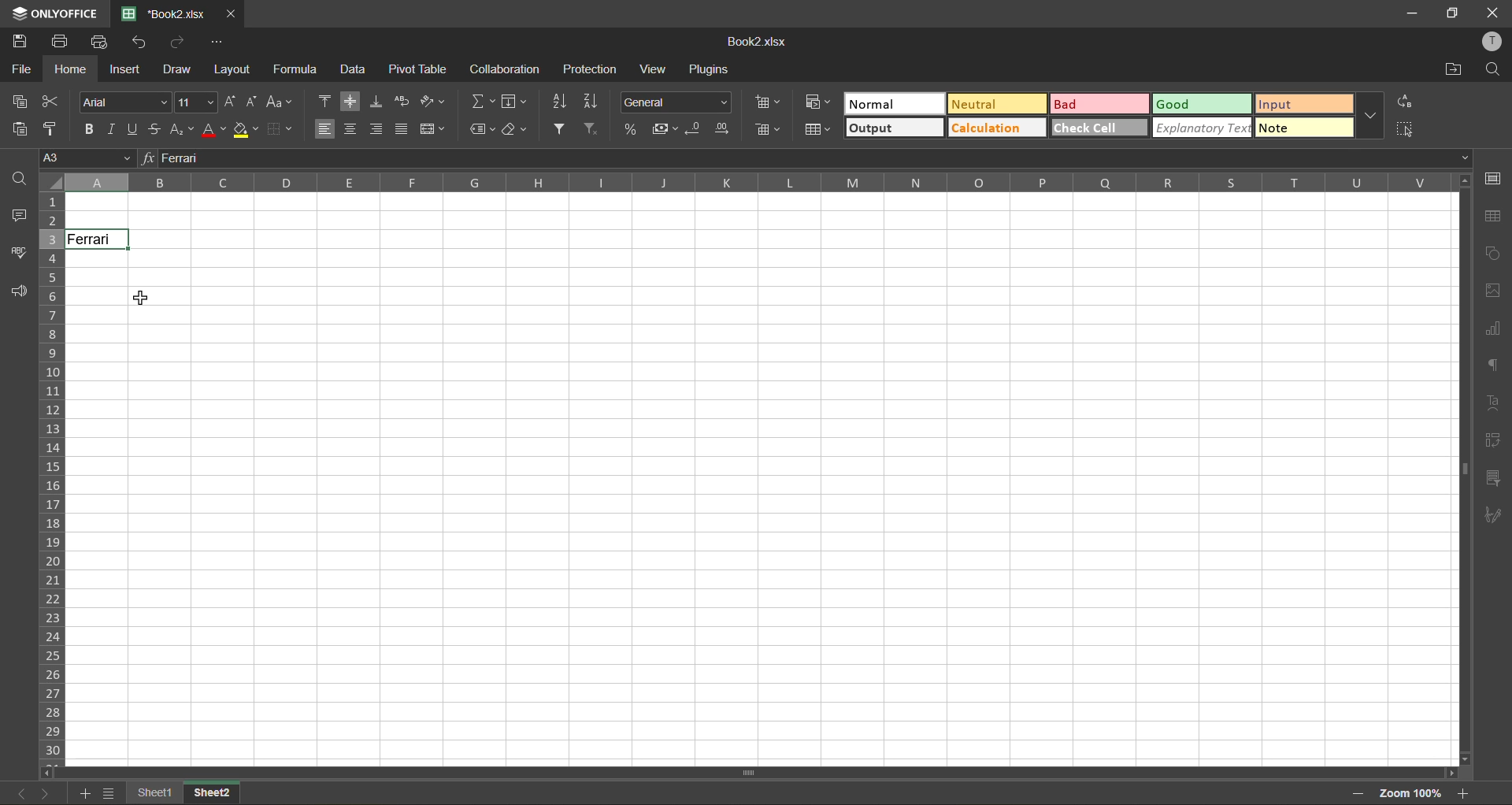  What do you see at coordinates (246, 129) in the screenshot?
I see `fill color` at bounding box center [246, 129].